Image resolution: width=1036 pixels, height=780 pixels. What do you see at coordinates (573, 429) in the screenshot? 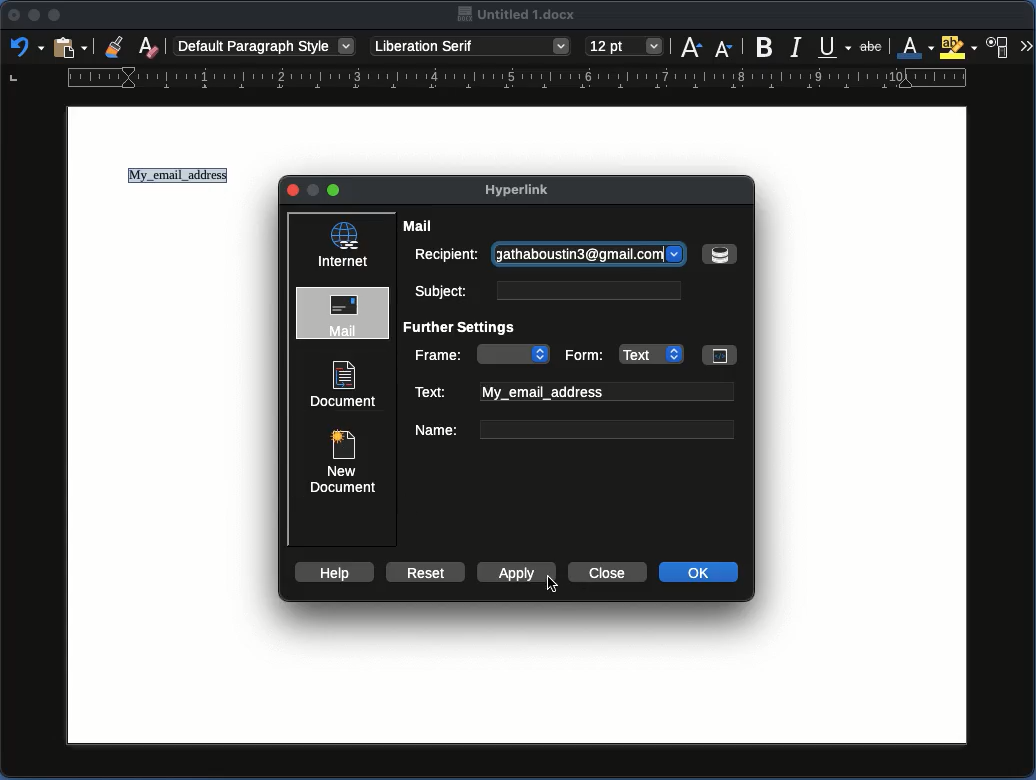
I see `Name` at bounding box center [573, 429].